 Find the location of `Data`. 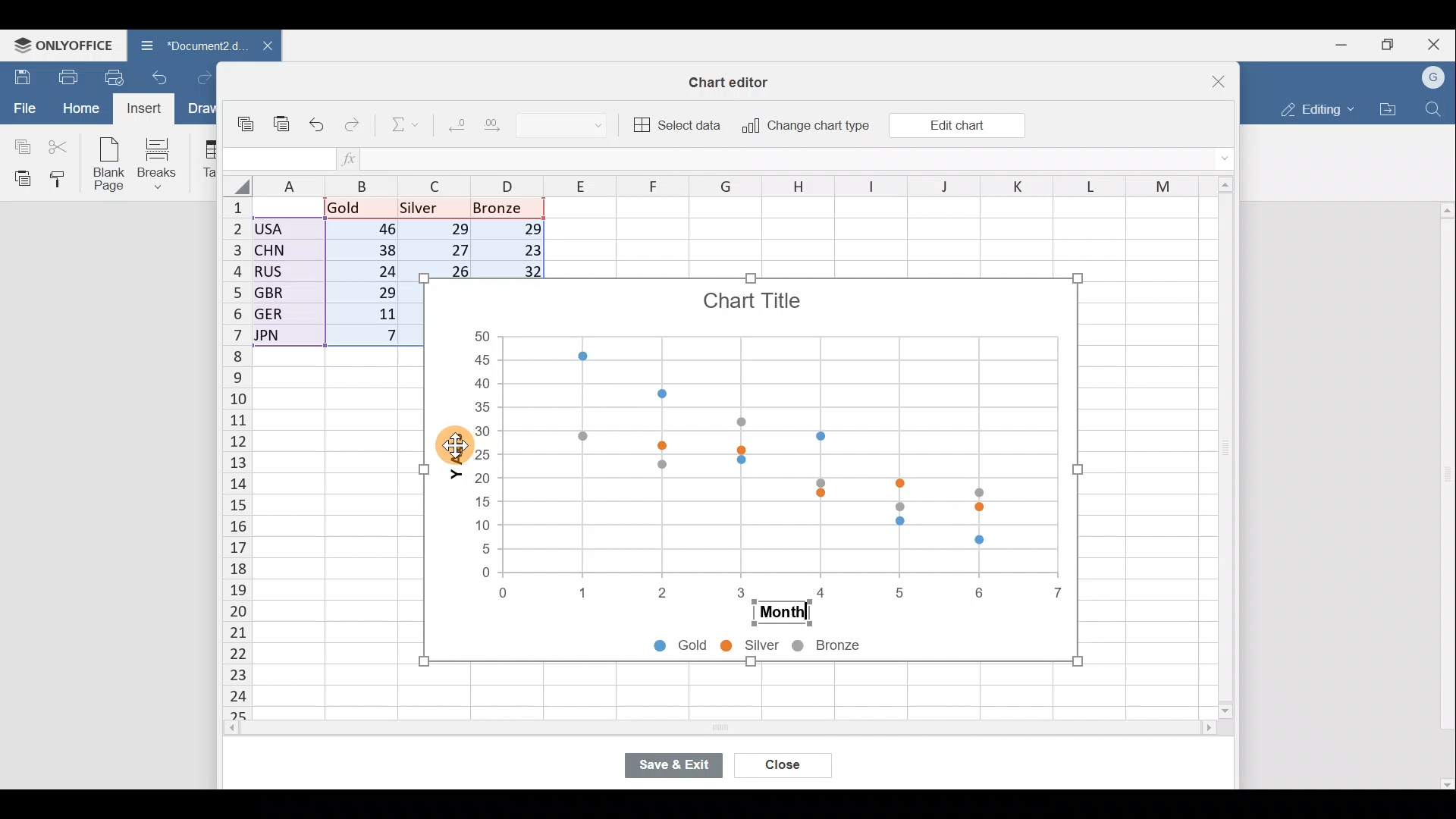

Data is located at coordinates (331, 277).